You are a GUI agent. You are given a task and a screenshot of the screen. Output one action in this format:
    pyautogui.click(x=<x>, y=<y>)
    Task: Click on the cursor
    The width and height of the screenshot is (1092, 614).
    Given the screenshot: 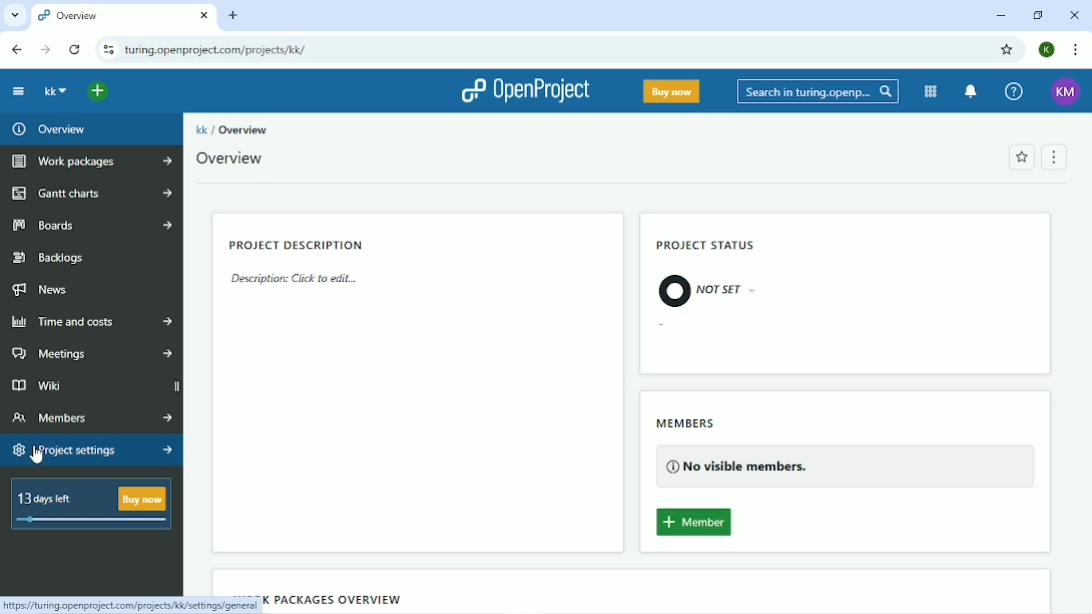 What is the action you would take?
    pyautogui.click(x=39, y=454)
    